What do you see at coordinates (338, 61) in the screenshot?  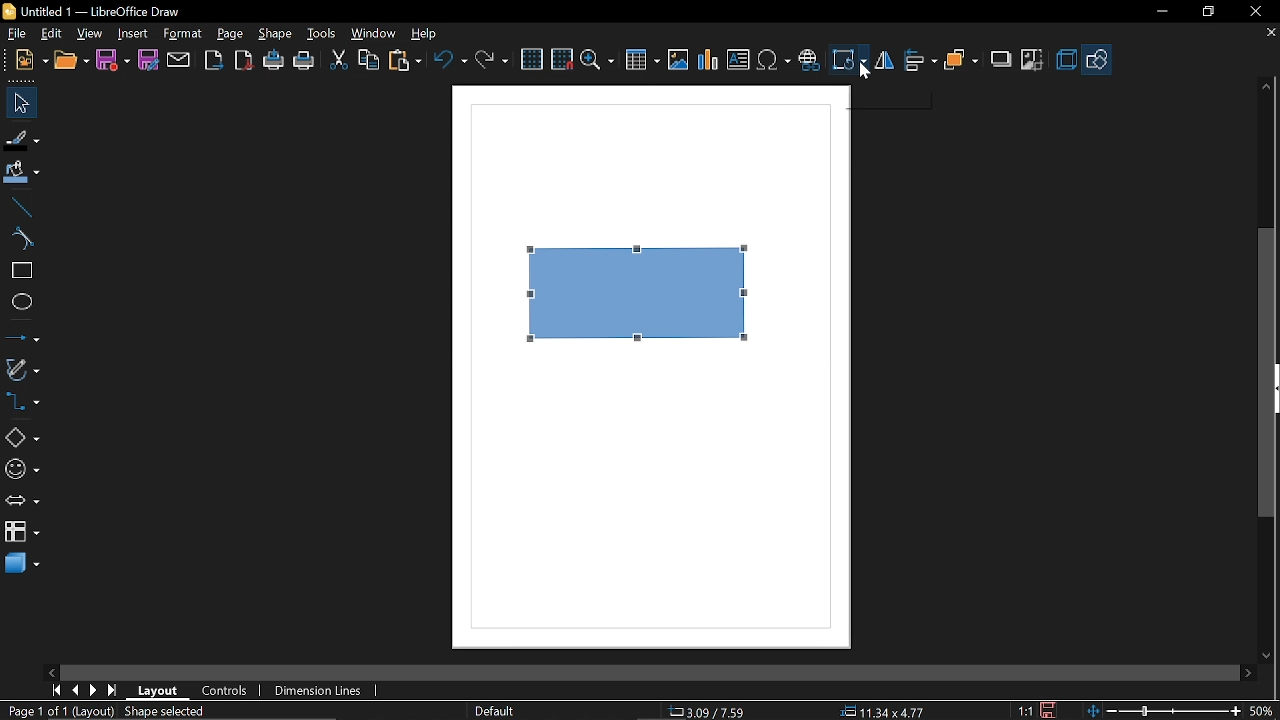 I see `Cut` at bounding box center [338, 61].